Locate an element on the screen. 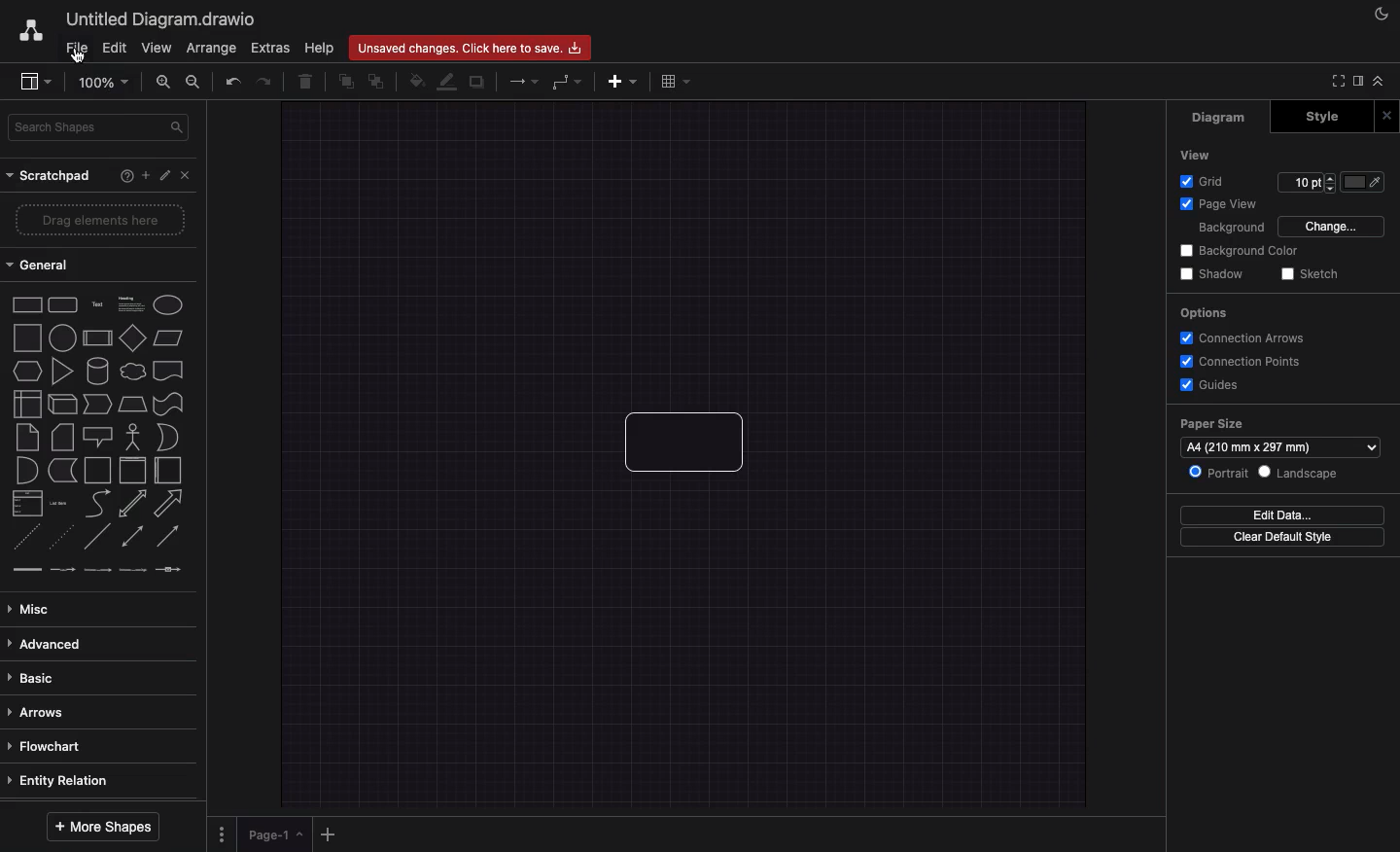 Image resolution: width=1400 pixels, height=852 pixels. View is located at coordinates (1197, 154).